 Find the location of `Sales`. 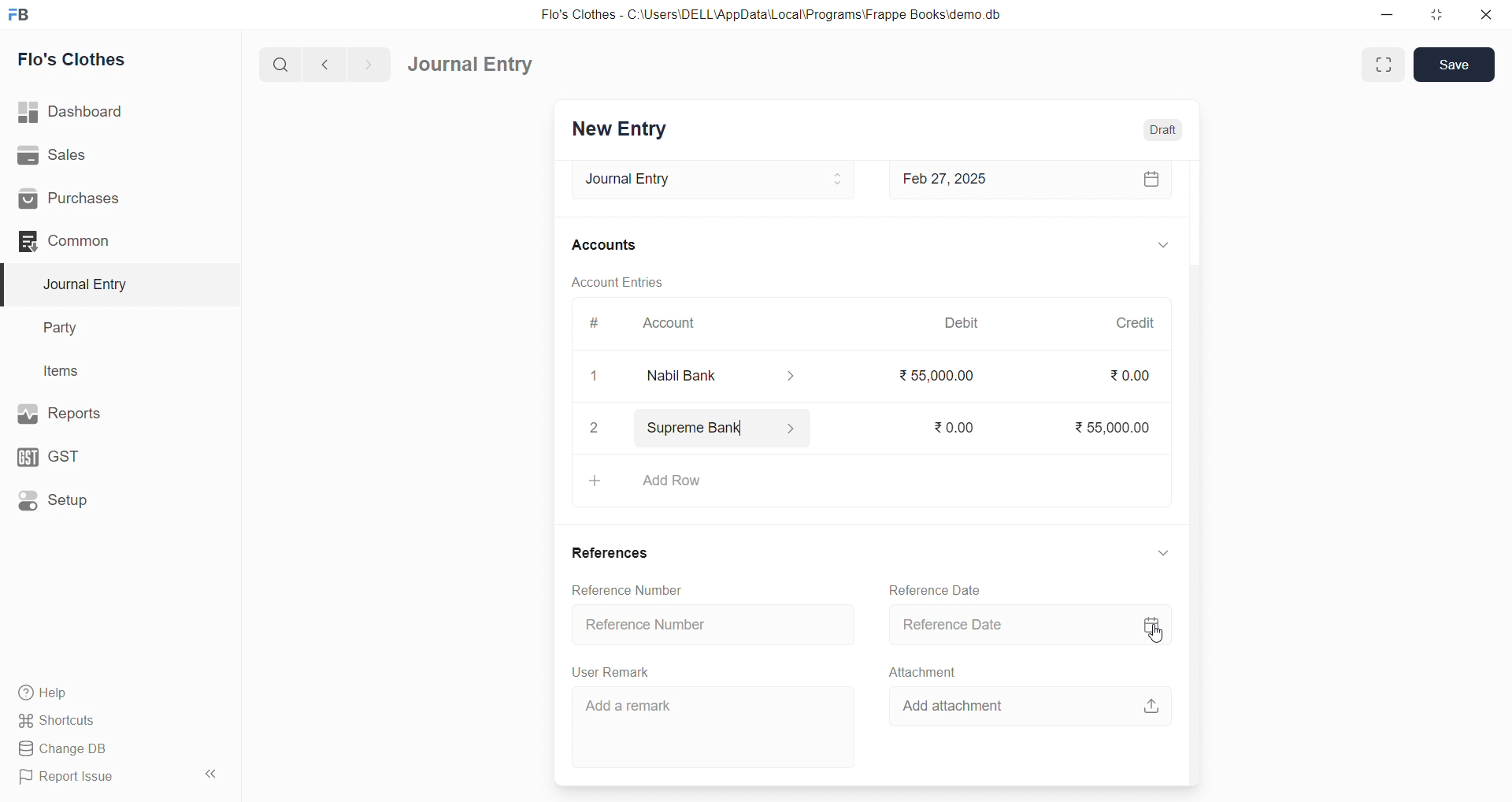

Sales is located at coordinates (94, 154).